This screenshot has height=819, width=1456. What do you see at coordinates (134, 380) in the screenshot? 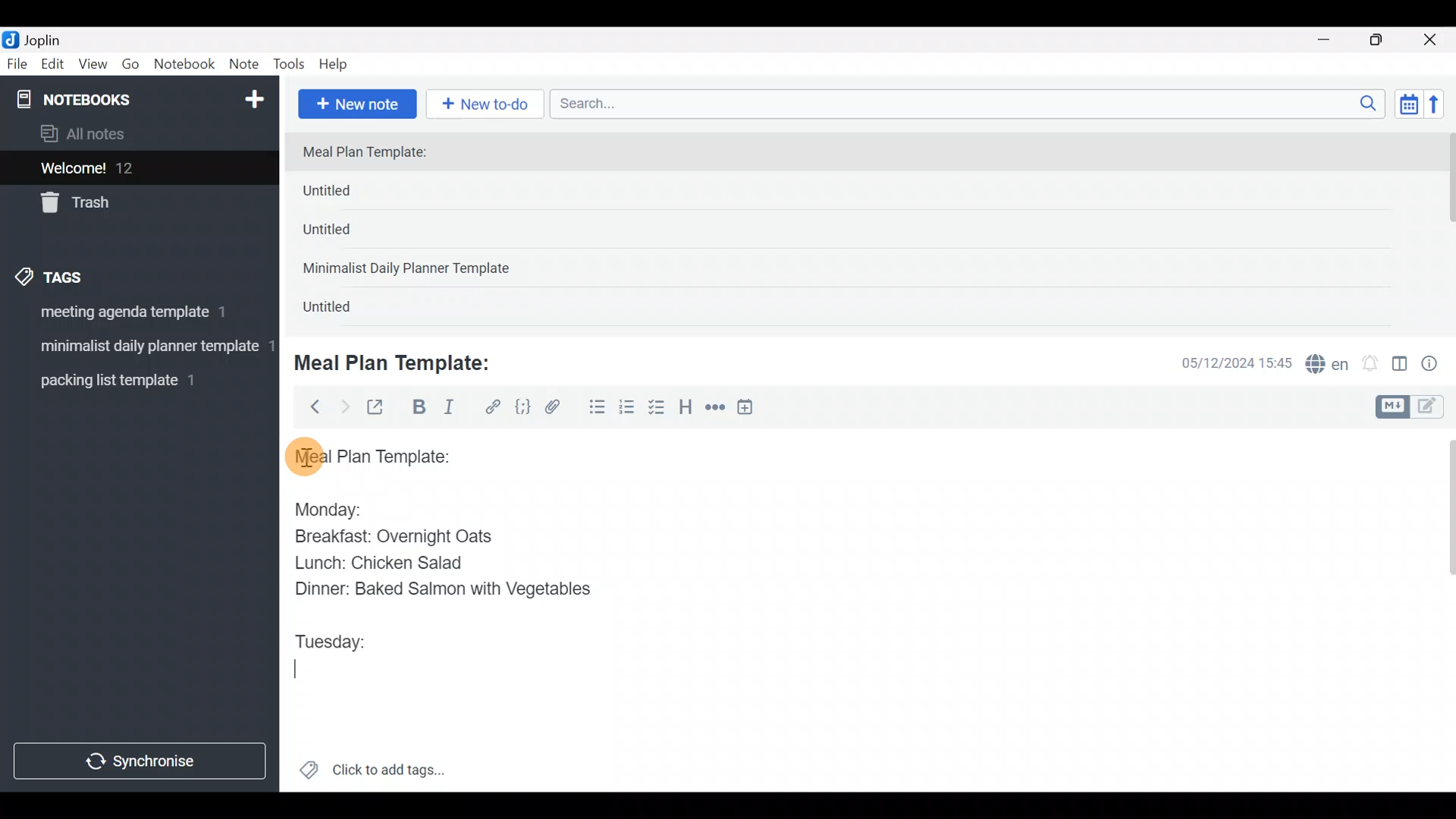
I see `Tag 3` at bounding box center [134, 380].